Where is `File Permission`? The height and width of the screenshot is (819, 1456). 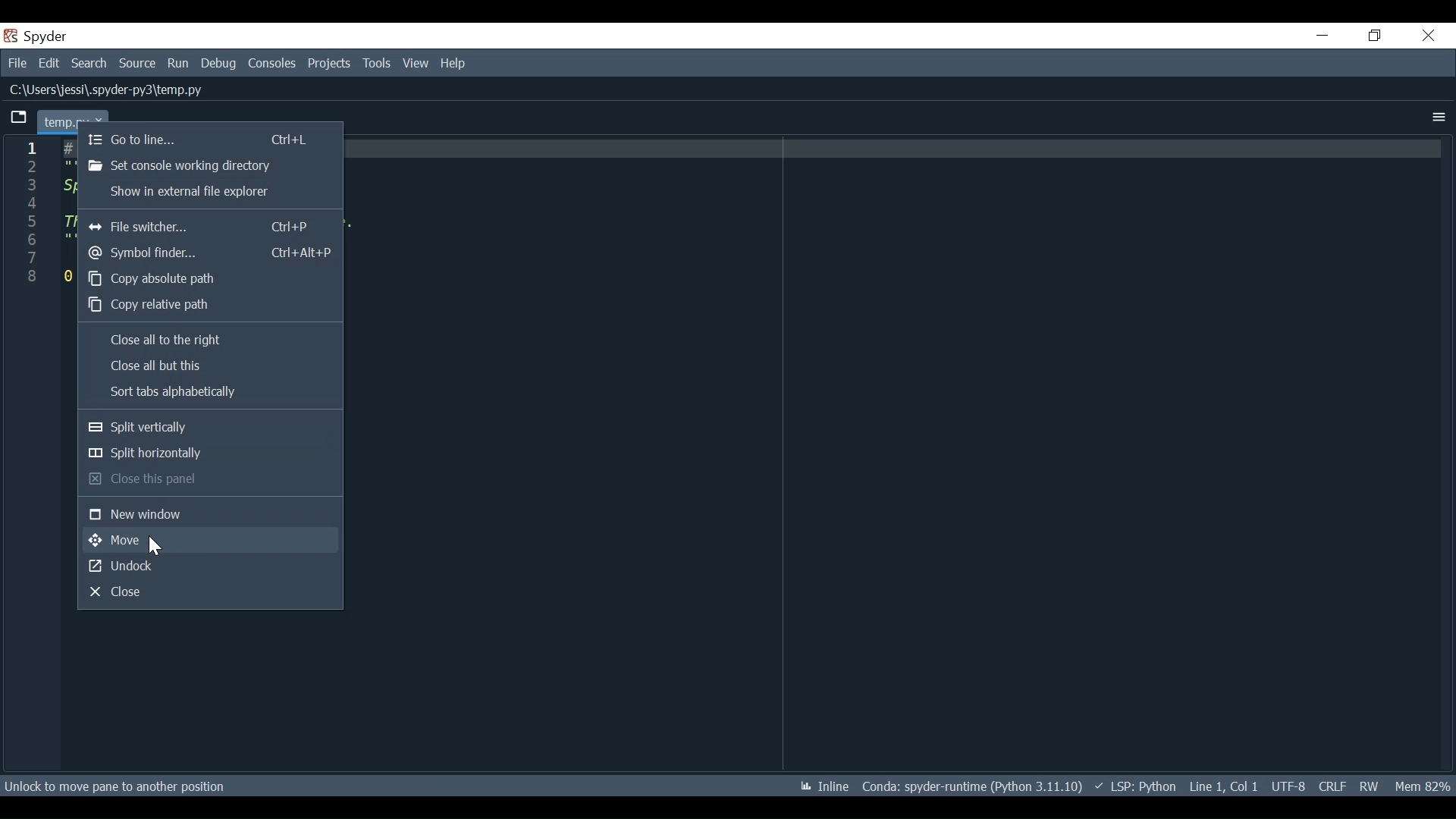 File Permission is located at coordinates (1368, 787).